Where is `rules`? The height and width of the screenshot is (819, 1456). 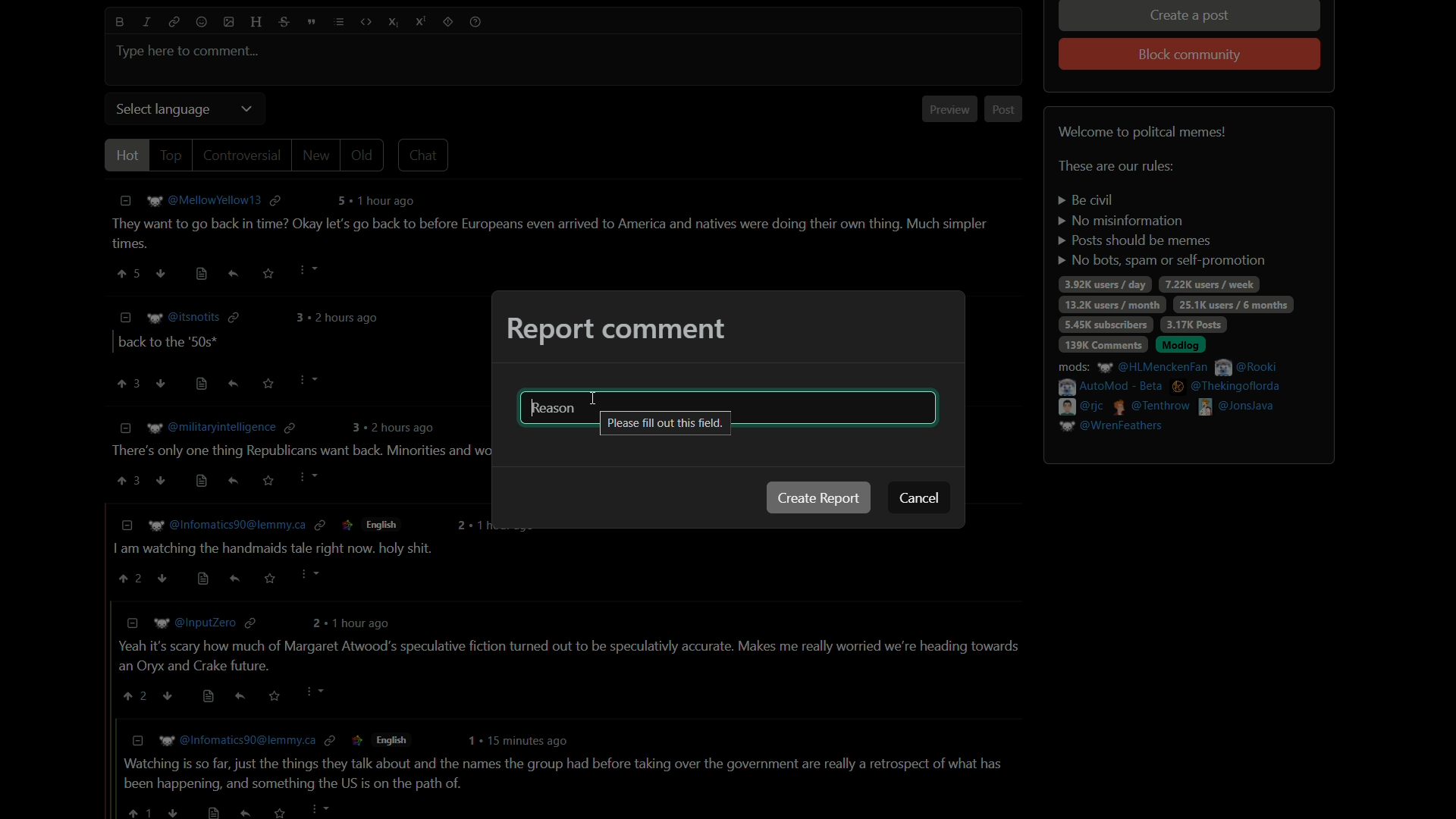 rules is located at coordinates (1161, 232).